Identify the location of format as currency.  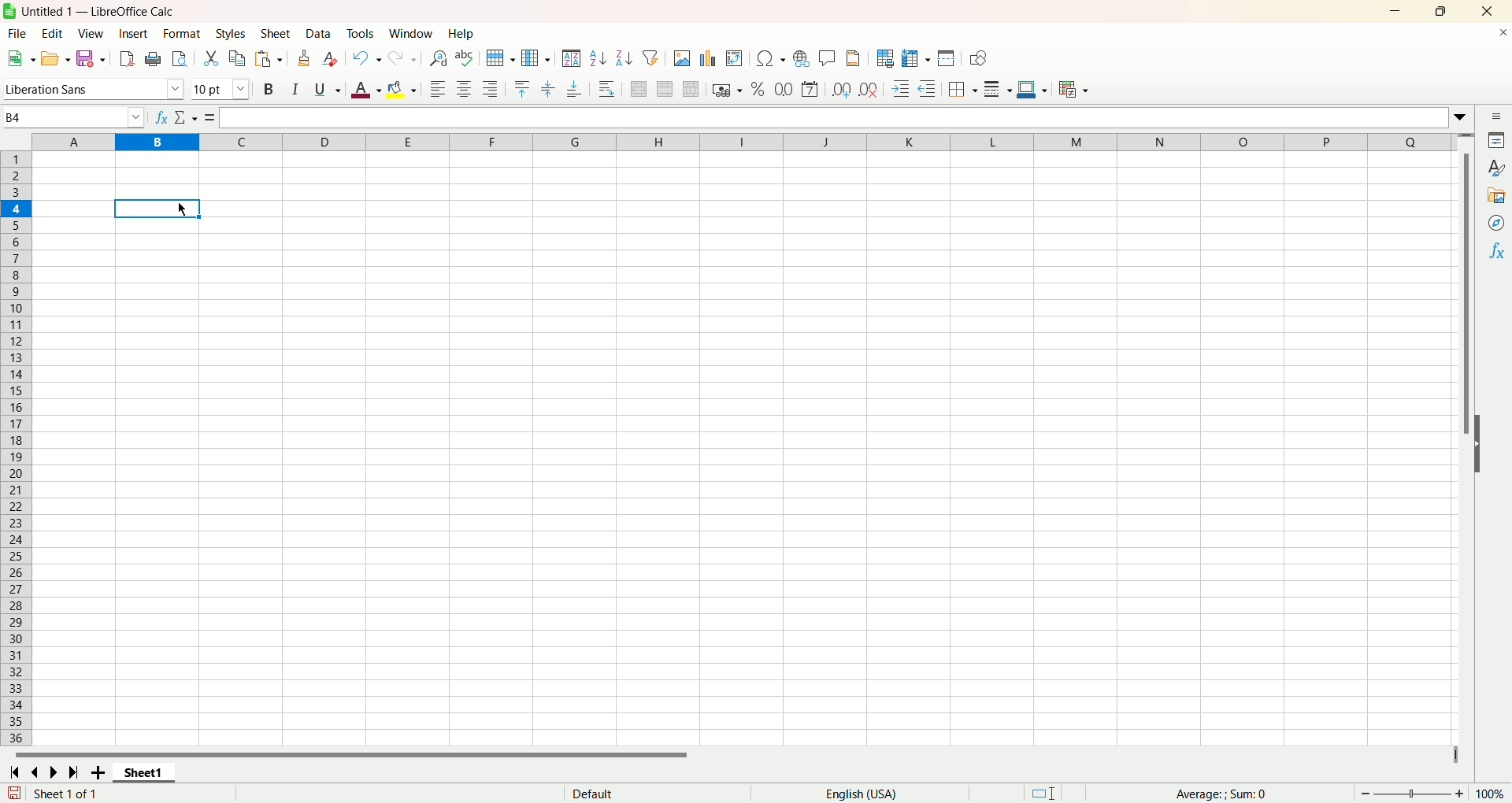
(725, 91).